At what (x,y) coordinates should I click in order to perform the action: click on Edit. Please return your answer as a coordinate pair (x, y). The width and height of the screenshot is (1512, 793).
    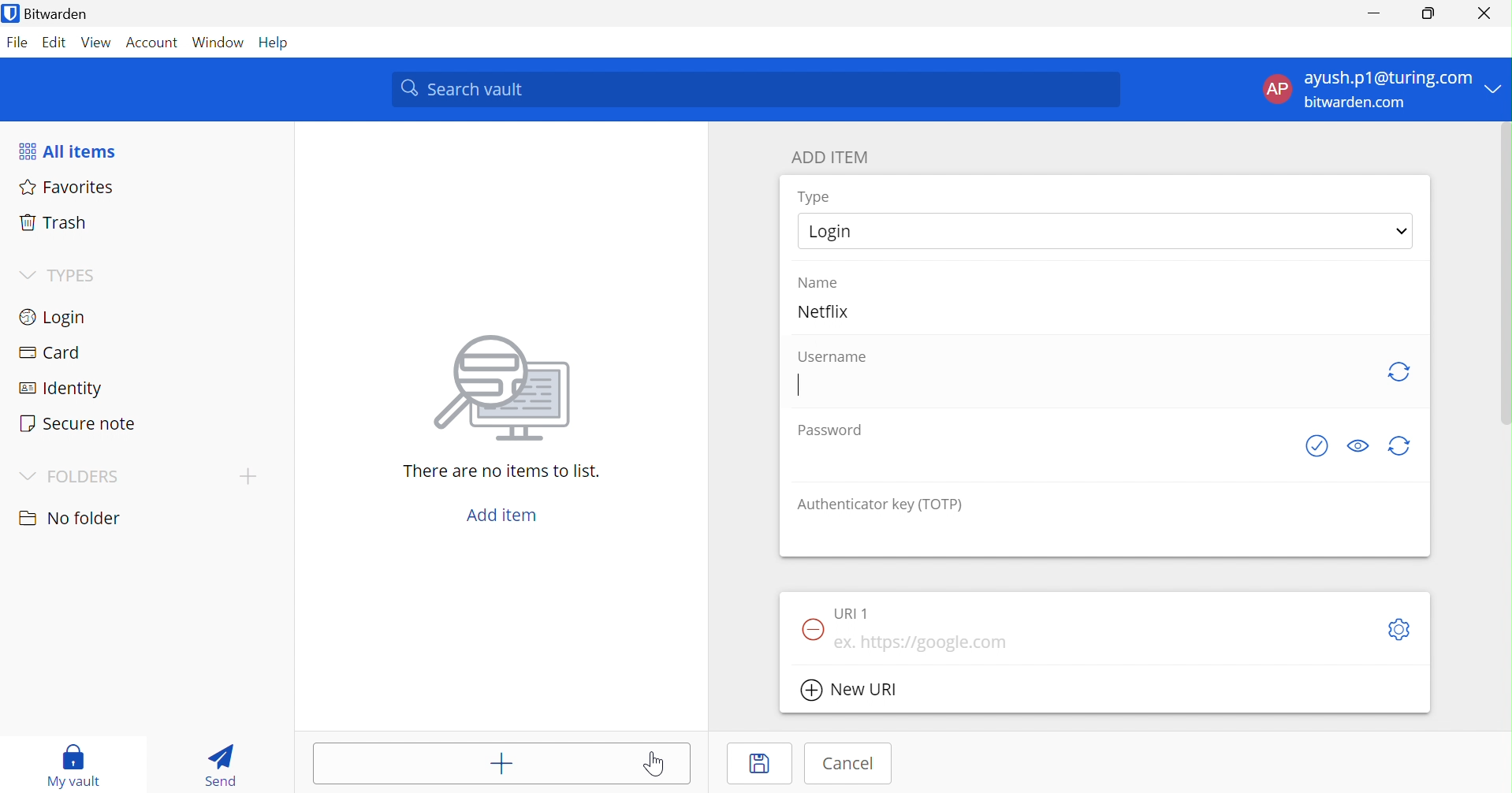
    Looking at the image, I should click on (56, 43).